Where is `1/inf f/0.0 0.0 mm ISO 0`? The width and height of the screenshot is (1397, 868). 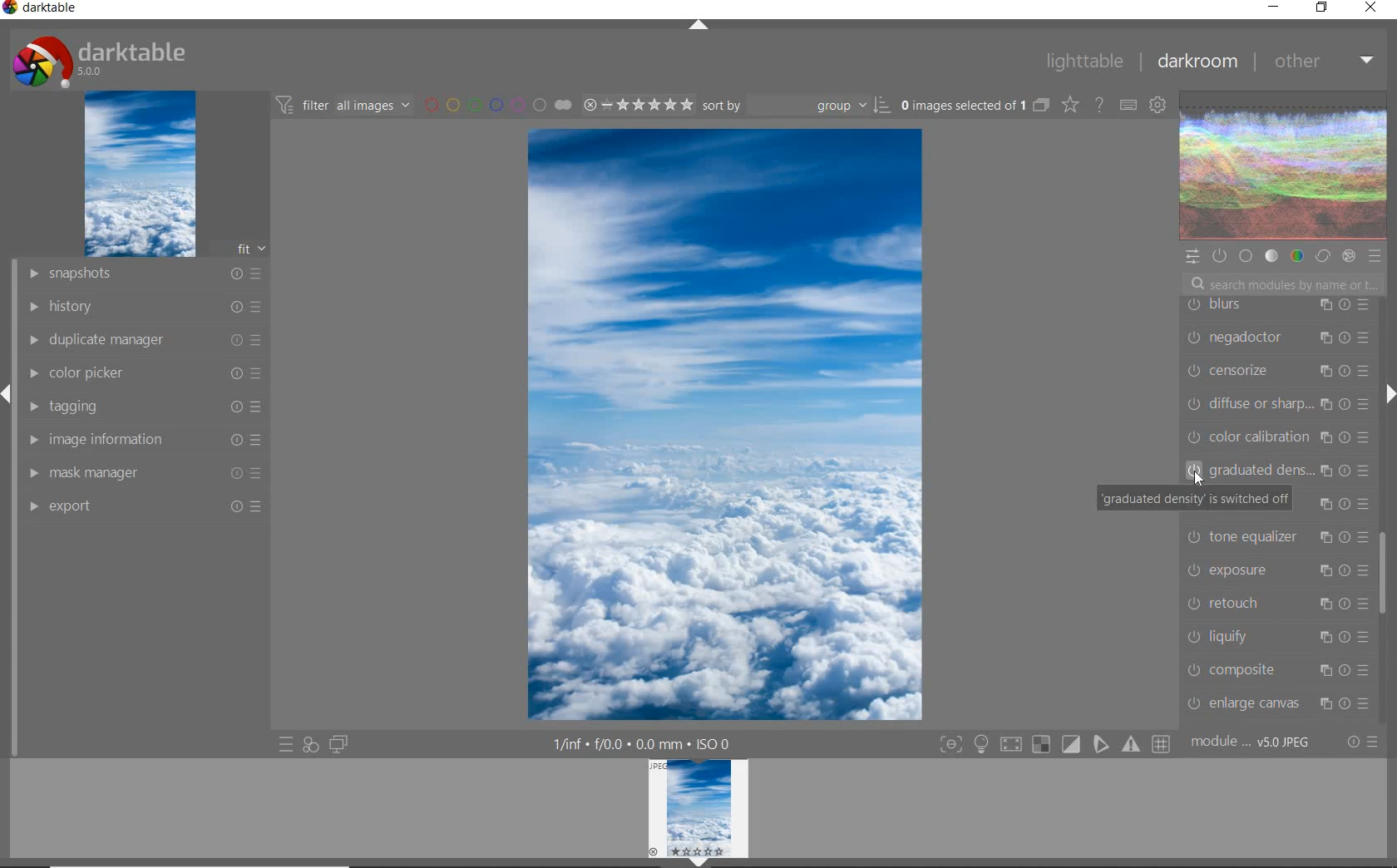
1/inf f/0.0 0.0 mm ISO 0 is located at coordinates (645, 742).